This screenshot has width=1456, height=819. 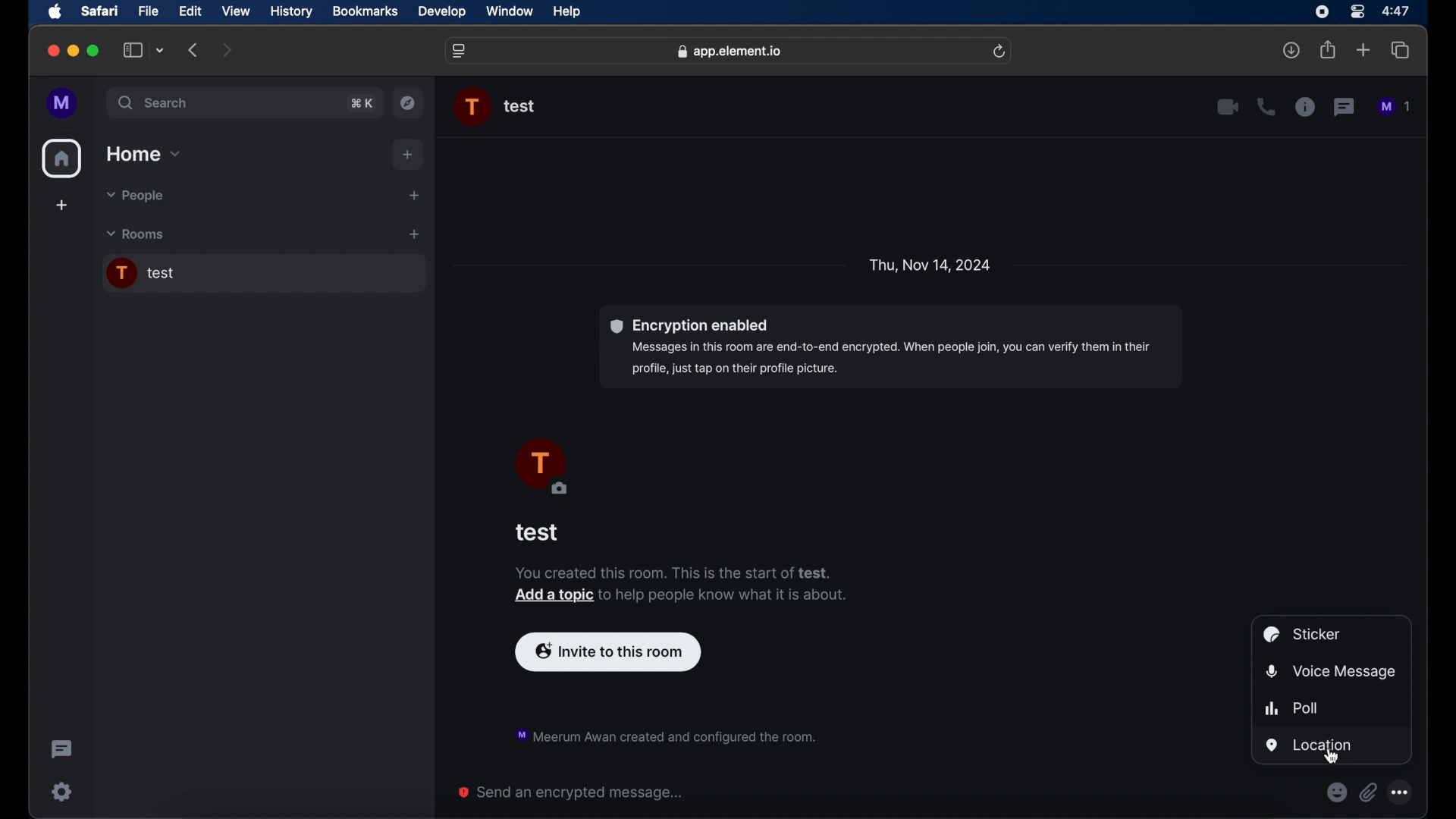 What do you see at coordinates (891, 347) in the screenshot?
I see `encryption enable` at bounding box center [891, 347].